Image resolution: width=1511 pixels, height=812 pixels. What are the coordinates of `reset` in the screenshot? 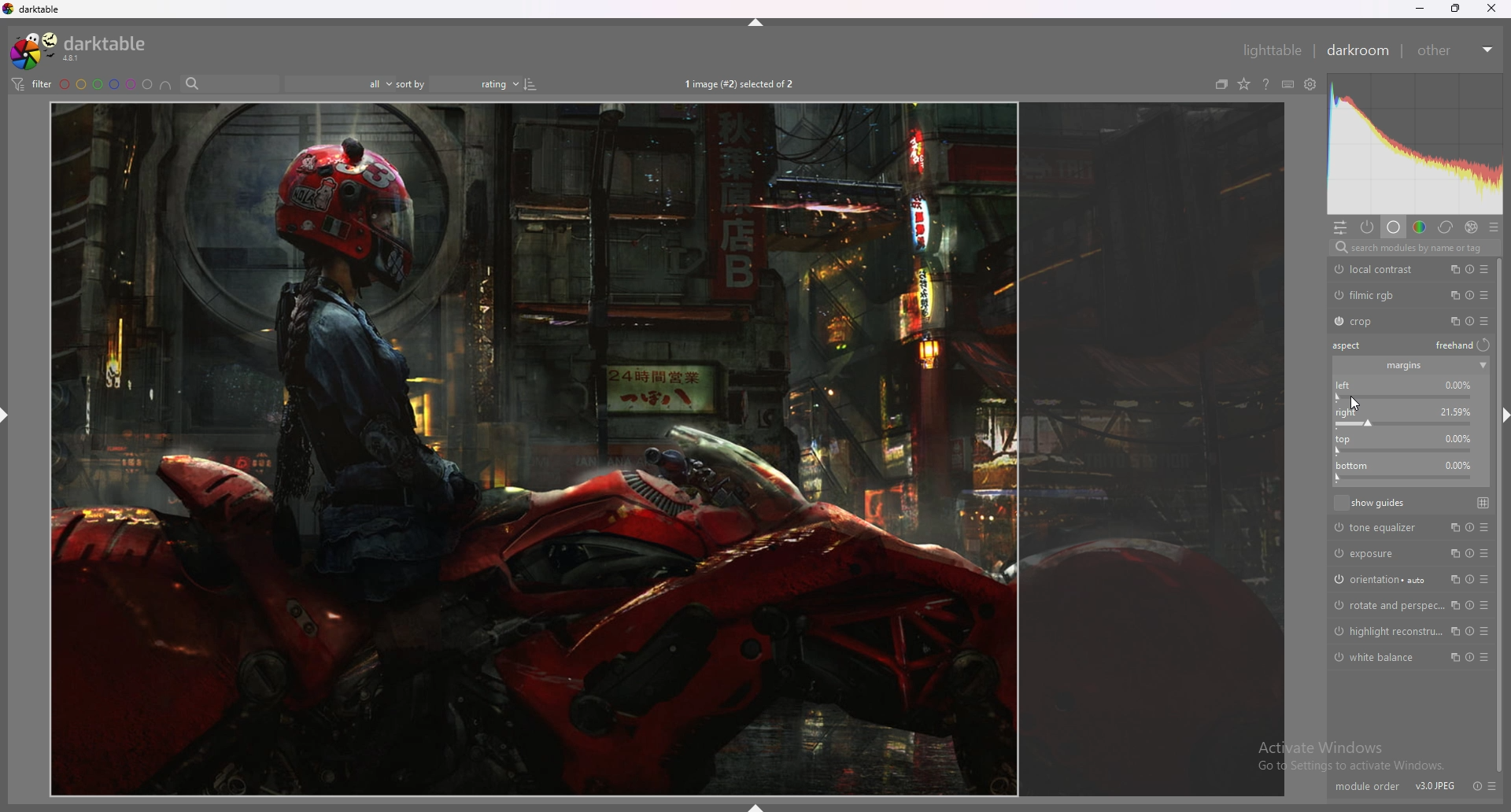 It's located at (1469, 321).